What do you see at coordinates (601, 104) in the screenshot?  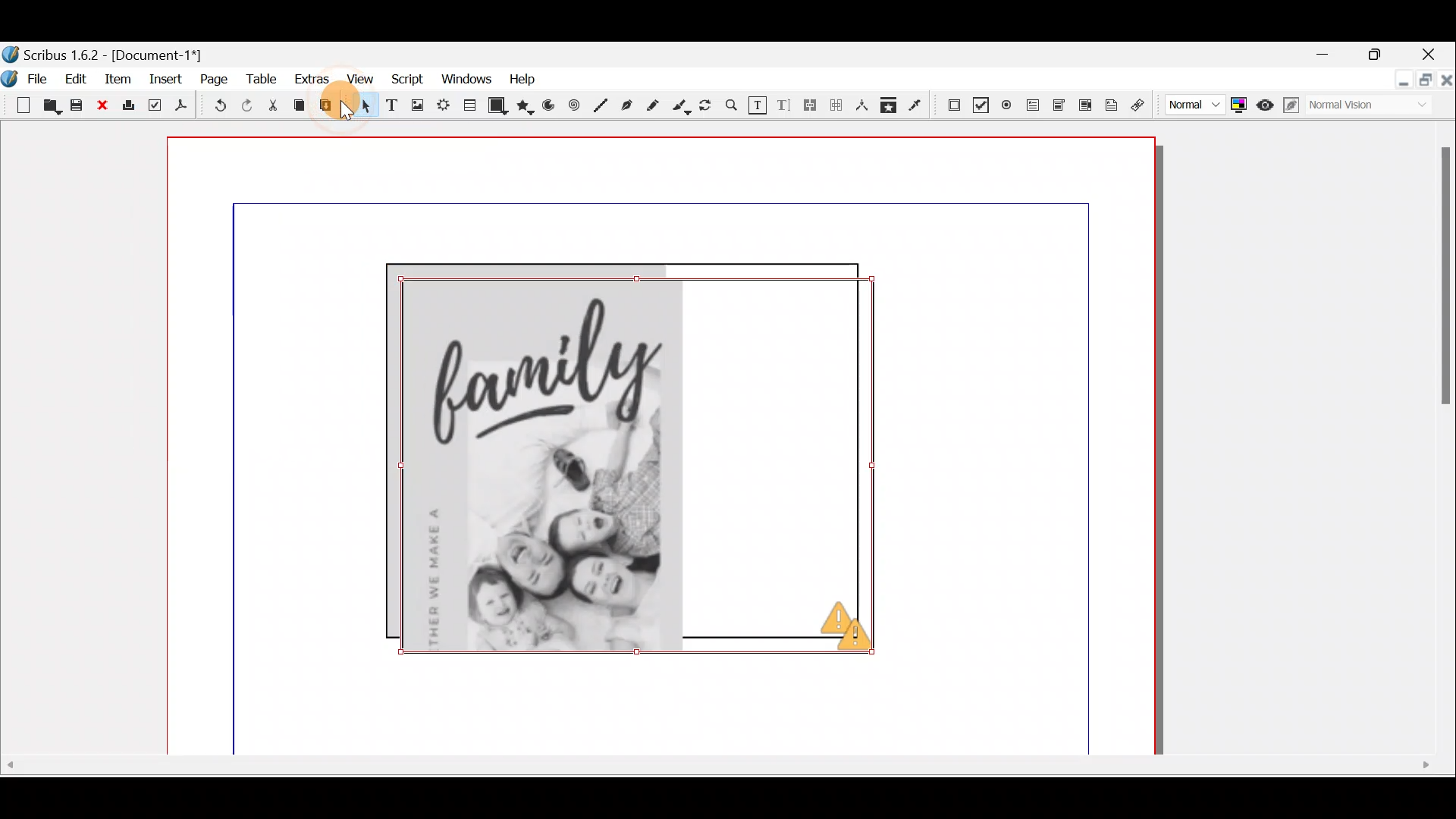 I see `Line` at bounding box center [601, 104].